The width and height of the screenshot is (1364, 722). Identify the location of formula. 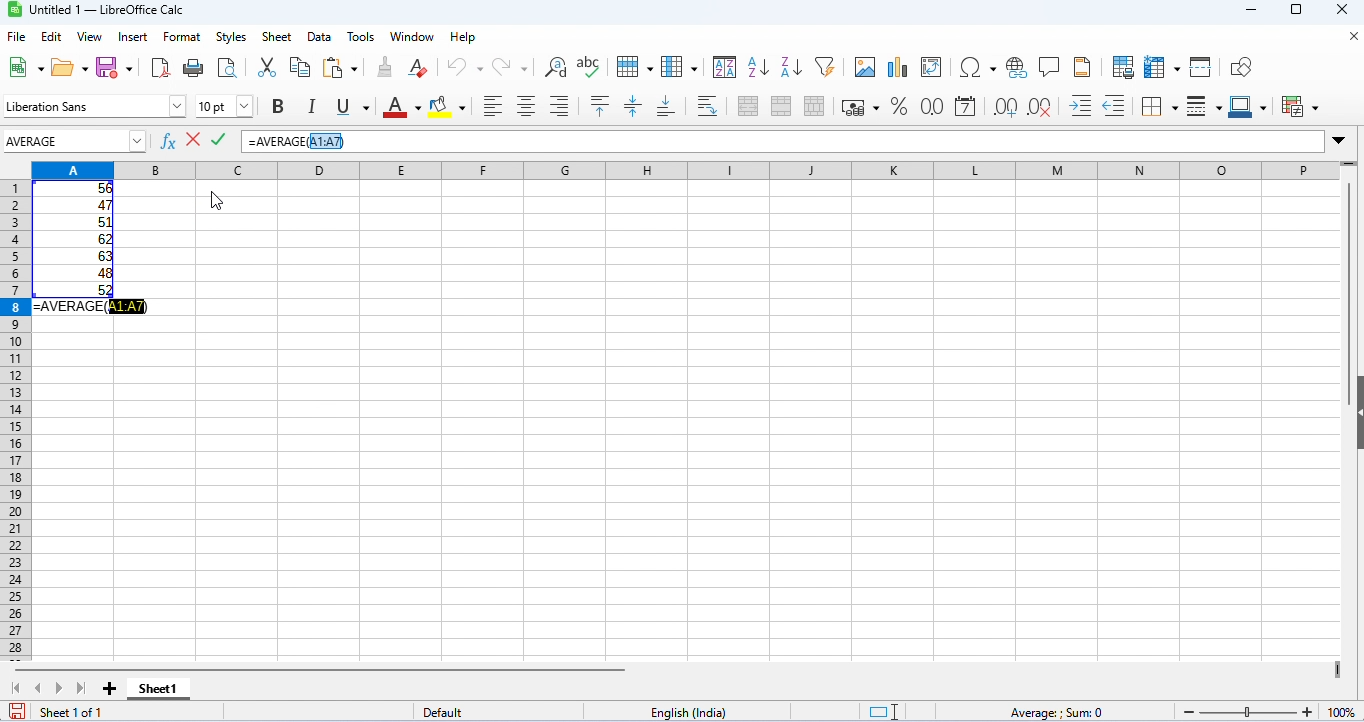
(1055, 713).